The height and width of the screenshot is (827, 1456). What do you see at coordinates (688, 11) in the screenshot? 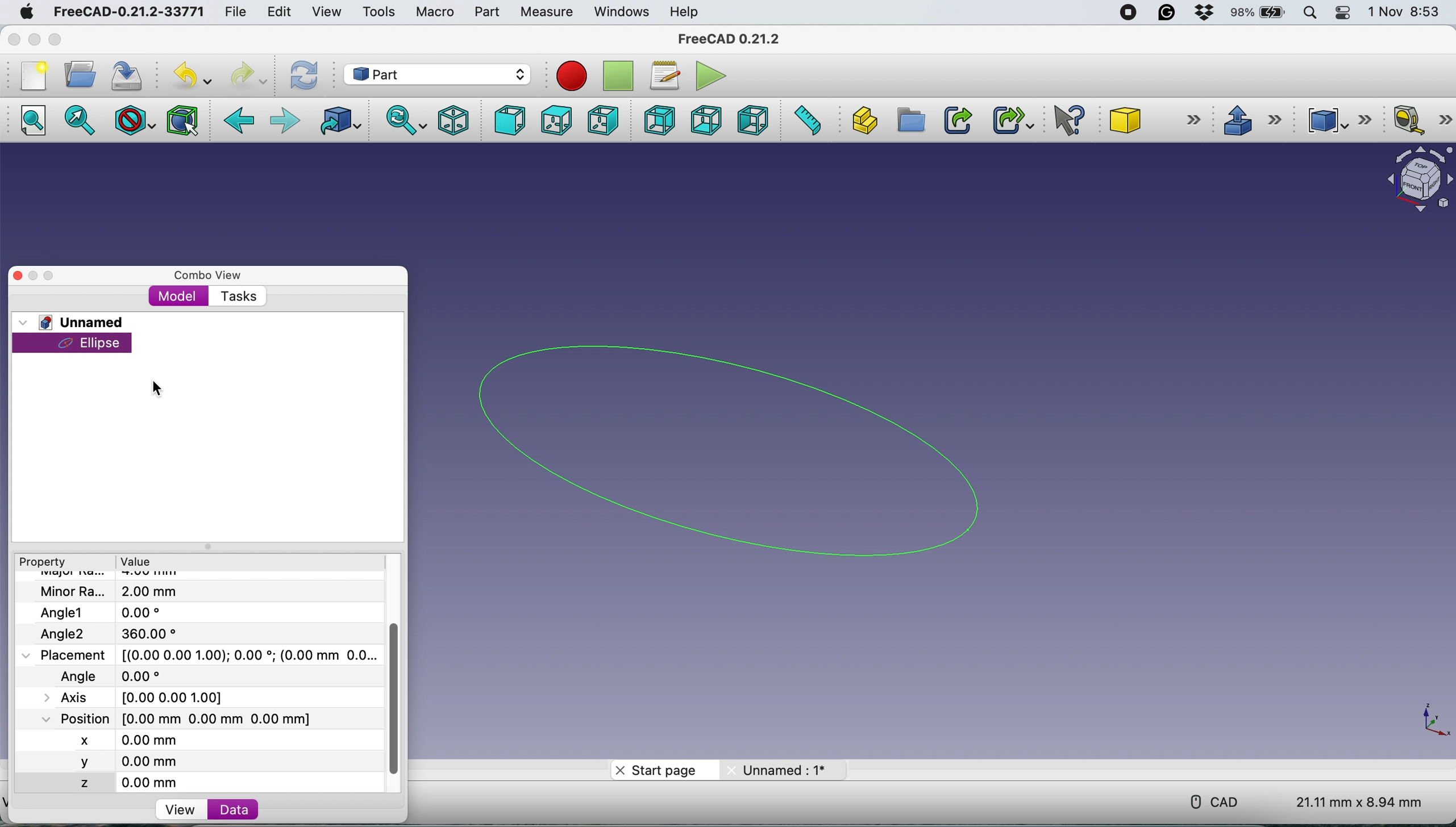
I see `help` at bounding box center [688, 11].